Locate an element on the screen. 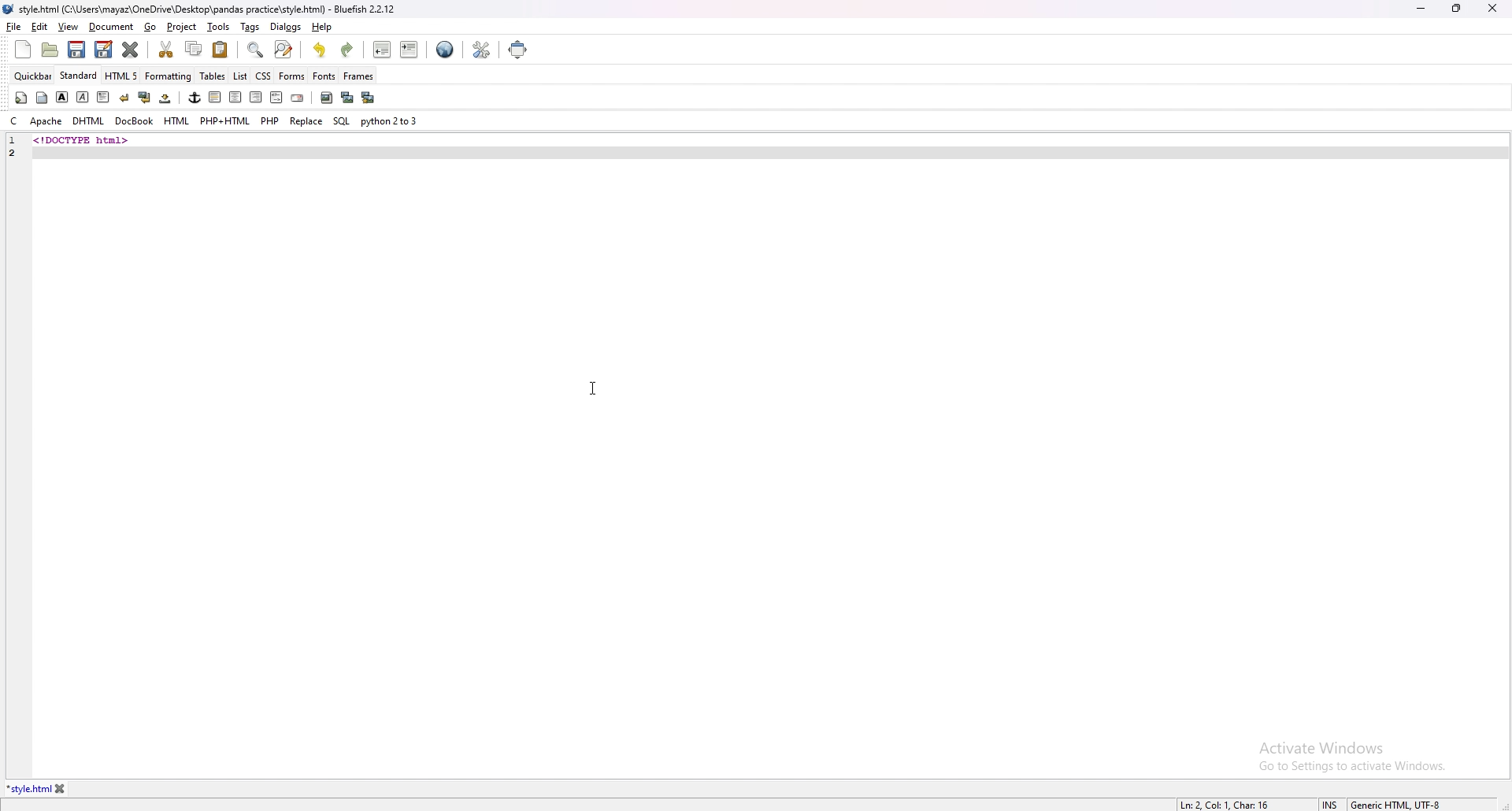 The width and height of the screenshot is (1512, 811). open is located at coordinates (52, 50).